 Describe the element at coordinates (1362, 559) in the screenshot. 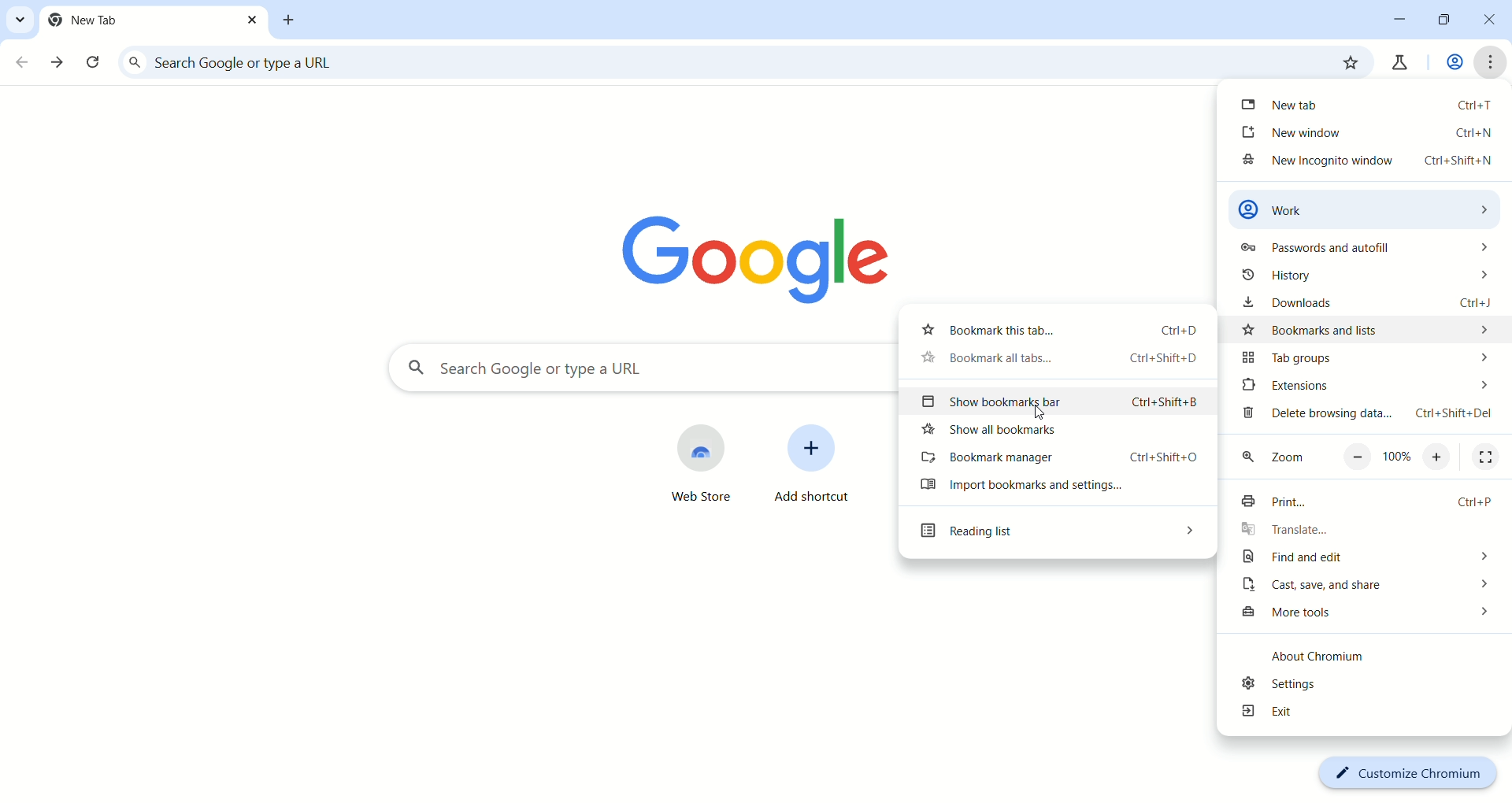

I see `find and edit` at that location.